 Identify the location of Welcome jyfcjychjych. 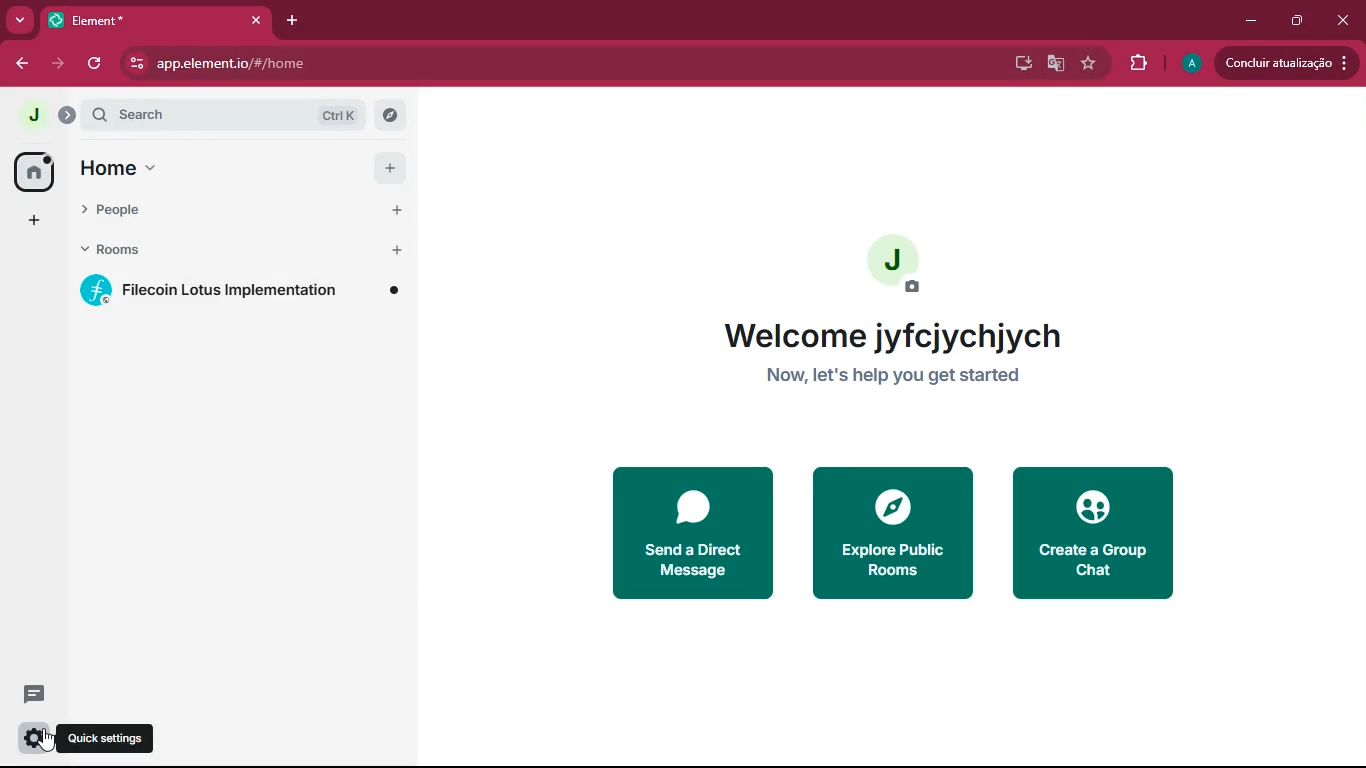
(892, 337).